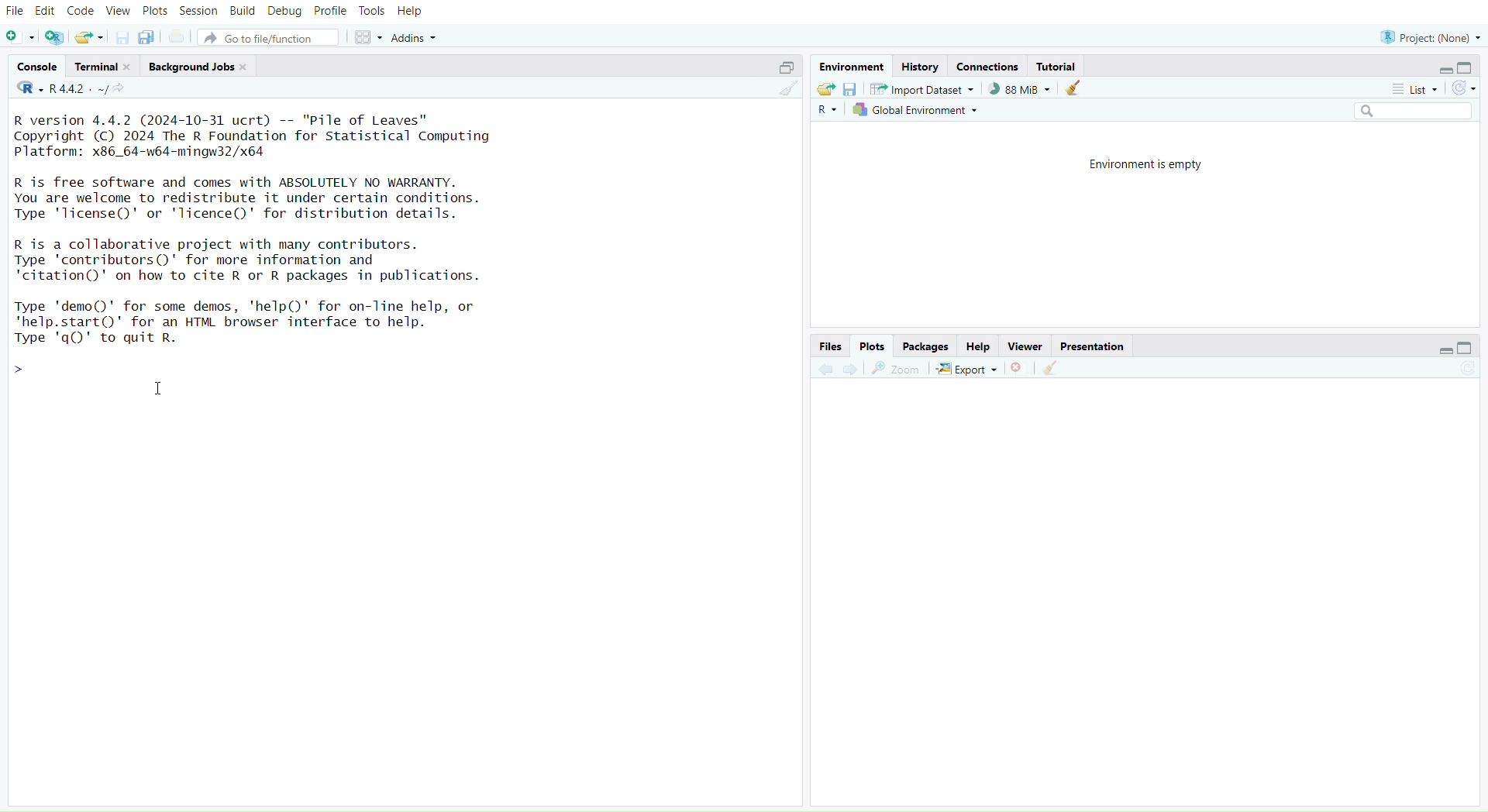 This screenshot has width=1488, height=812. What do you see at coordinates (331, 12) in the screenshot?
I see `profile` at bounding box center [331, 12].